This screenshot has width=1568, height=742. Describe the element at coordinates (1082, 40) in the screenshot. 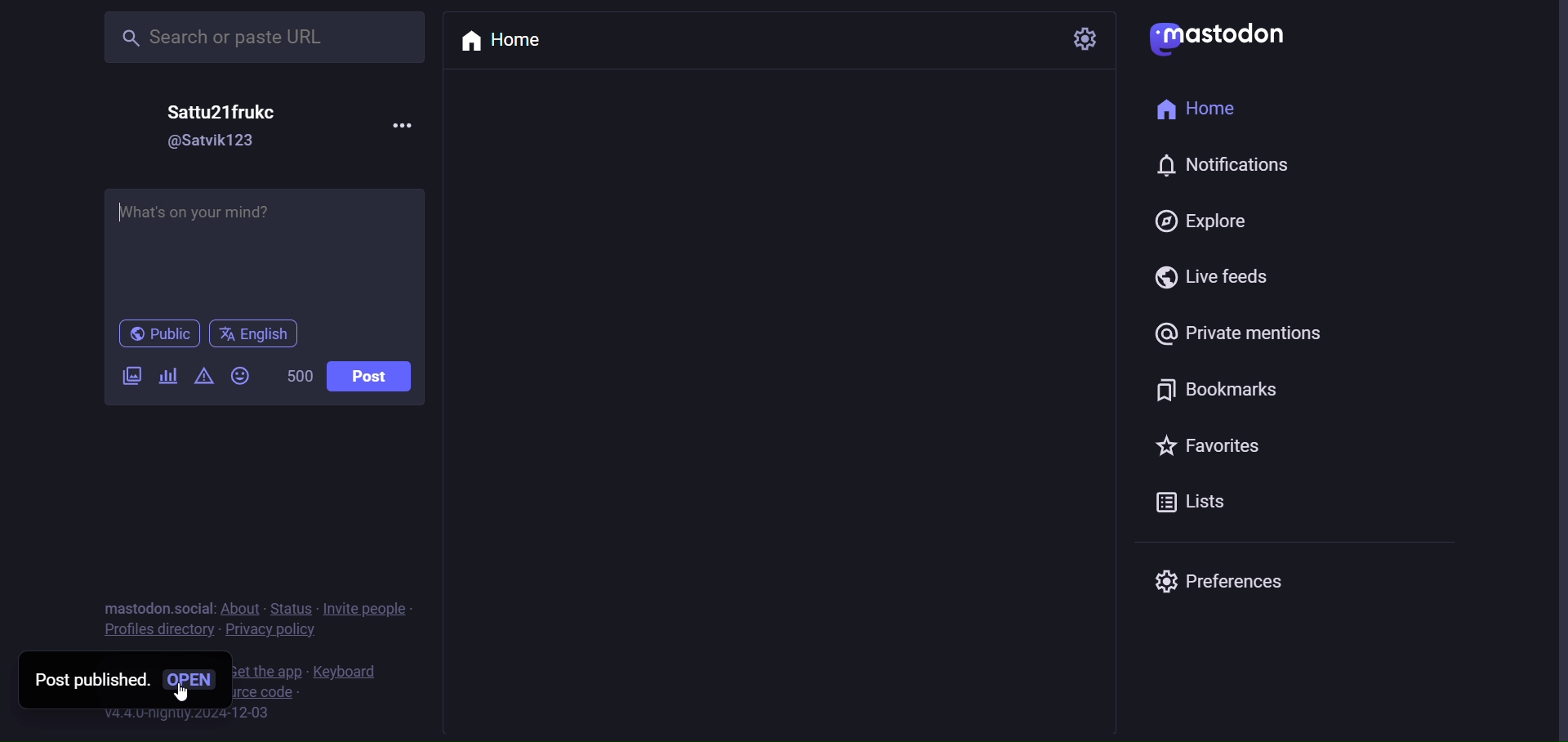

I see `setting` at that location.